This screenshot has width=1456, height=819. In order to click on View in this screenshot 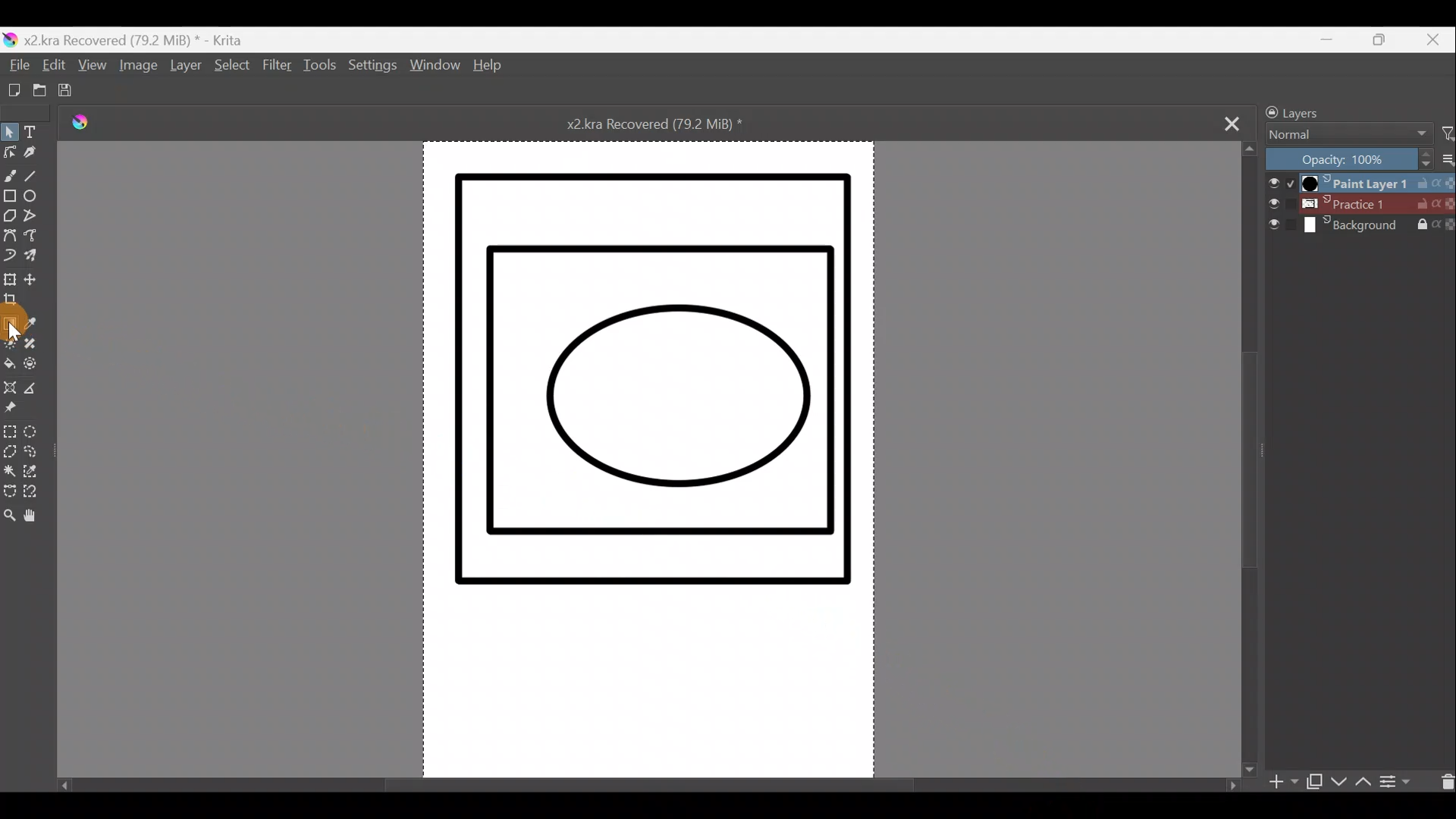, I will do `click(93, 69)`.